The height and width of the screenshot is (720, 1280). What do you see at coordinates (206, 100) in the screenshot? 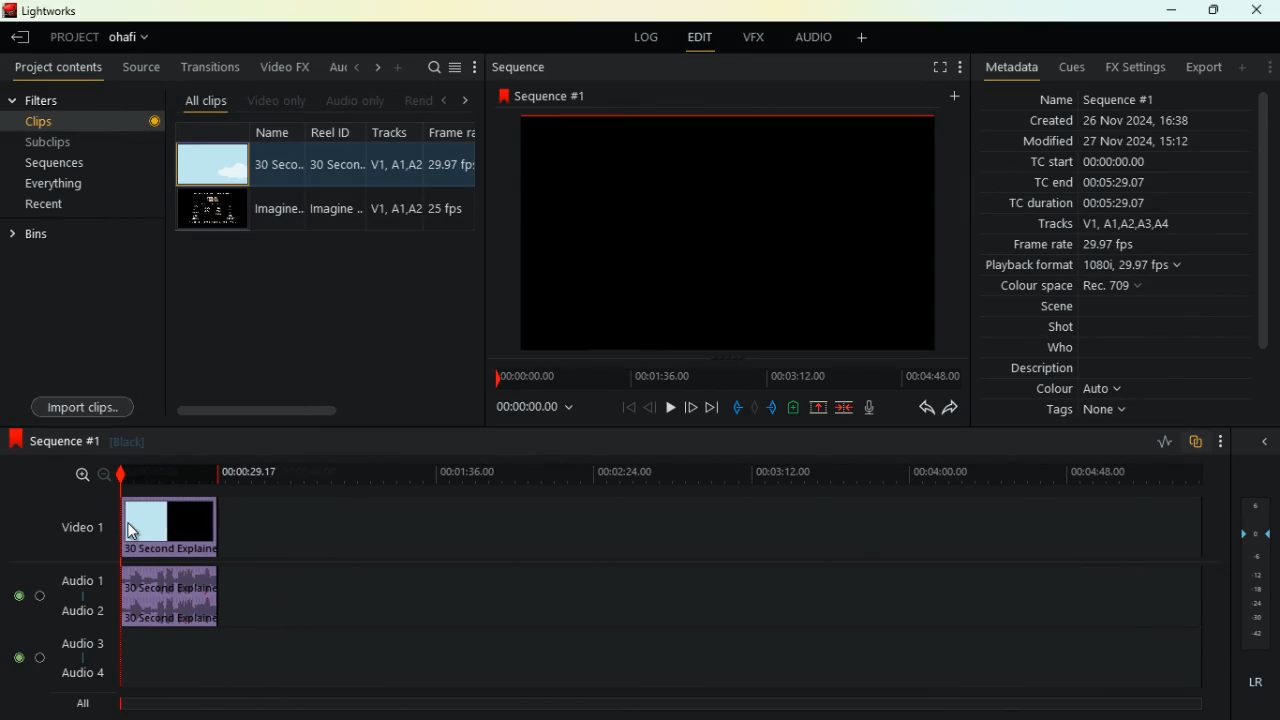
I see `all clips` at bounding box center [206, 100].